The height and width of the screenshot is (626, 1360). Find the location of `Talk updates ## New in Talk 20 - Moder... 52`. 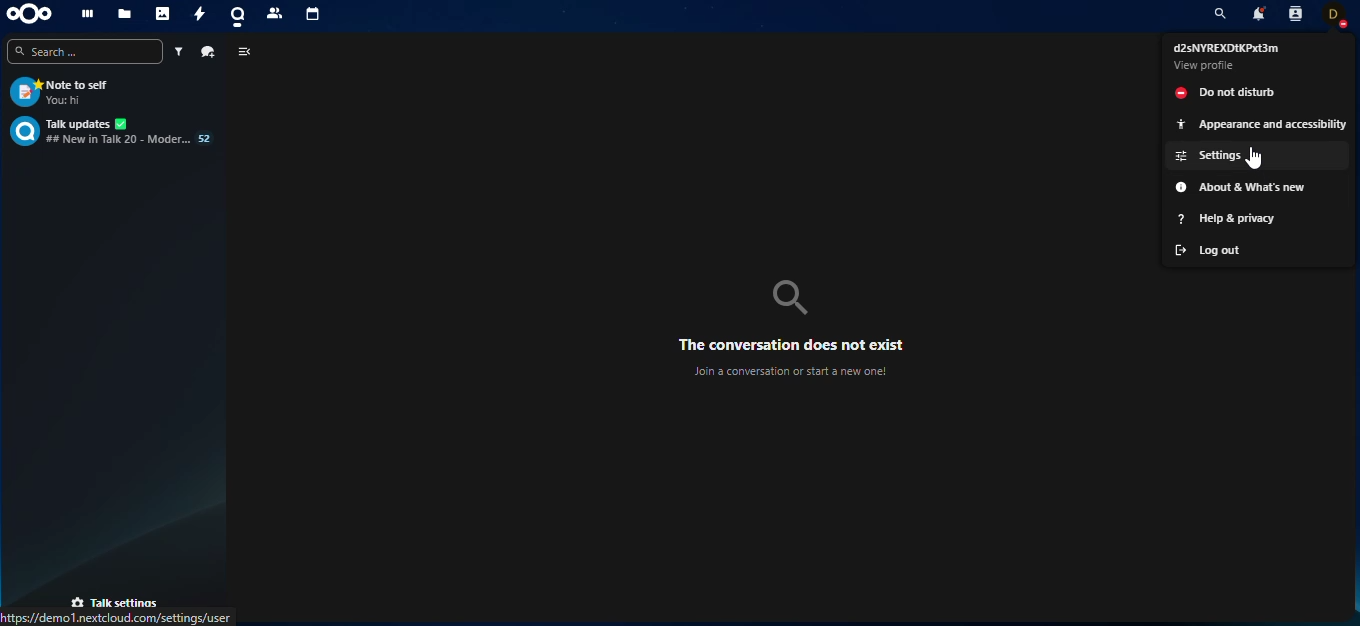

Talk updates ## New in Talk 20 - Moder... 52 is located at coordinates (113, 131).